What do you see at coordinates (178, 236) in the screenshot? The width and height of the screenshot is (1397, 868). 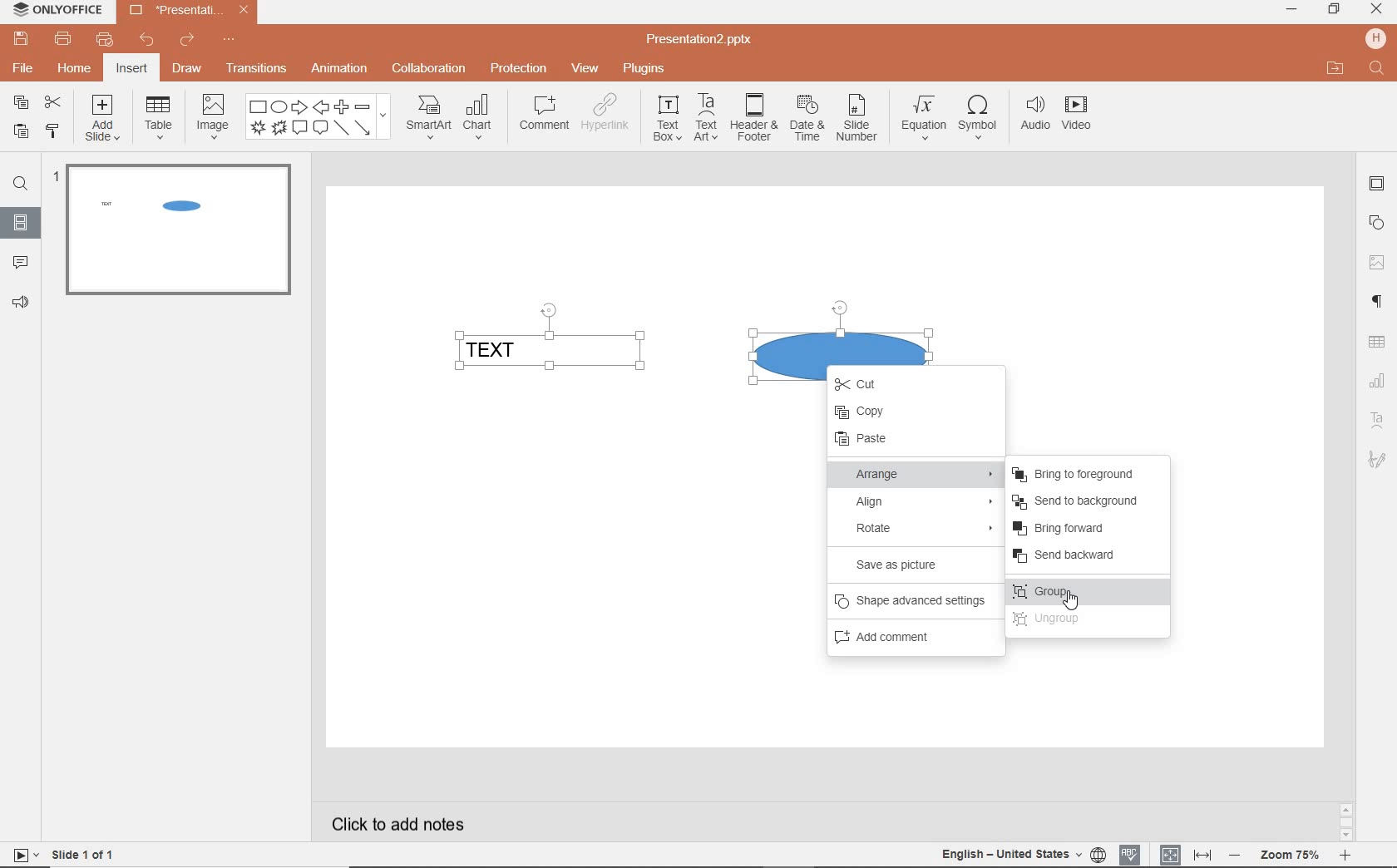 I see `SLIDE1` at bounding box center [178, 236].